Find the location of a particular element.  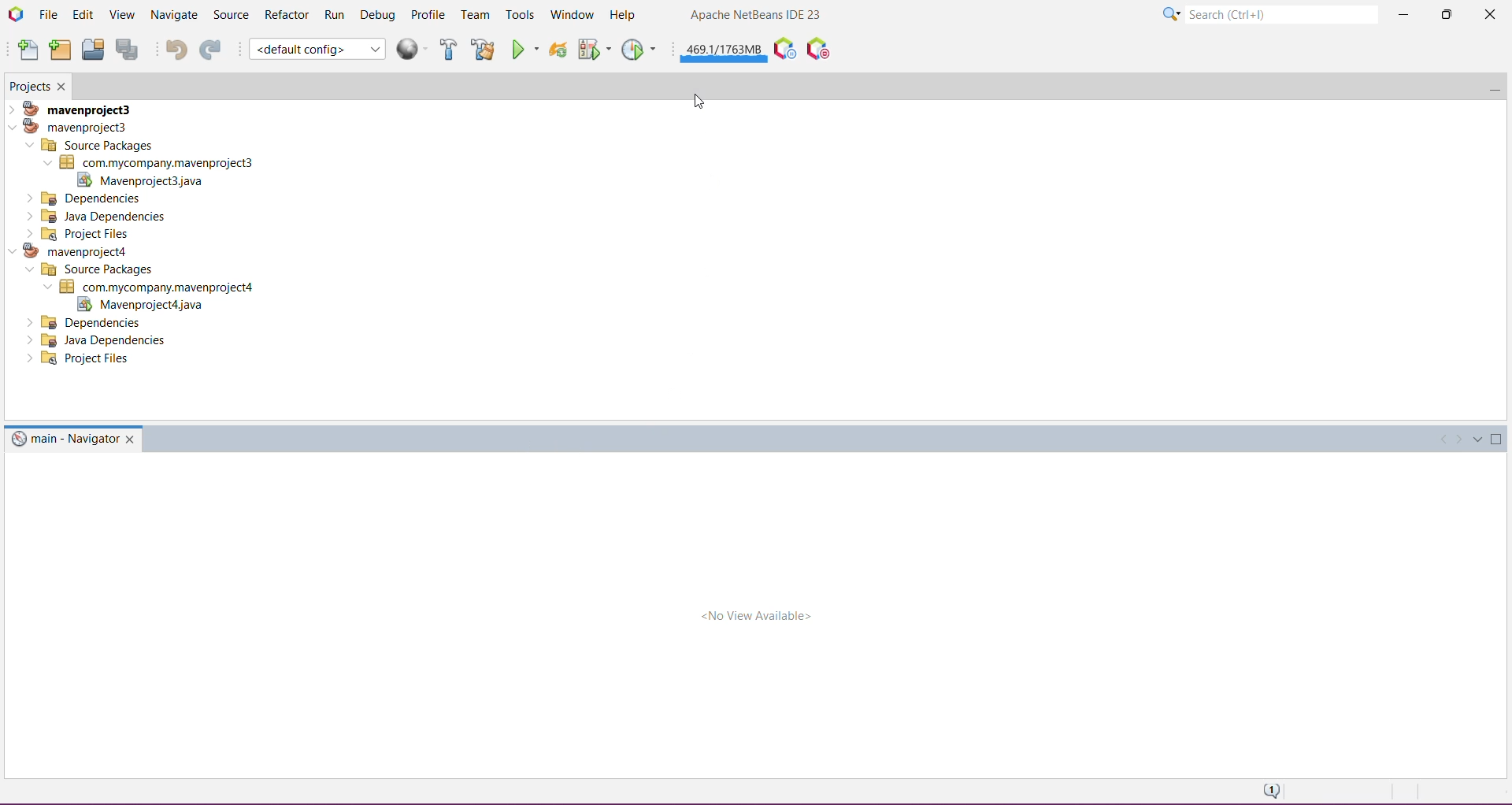

Java Dependencies is located at coordinates (100, 340).